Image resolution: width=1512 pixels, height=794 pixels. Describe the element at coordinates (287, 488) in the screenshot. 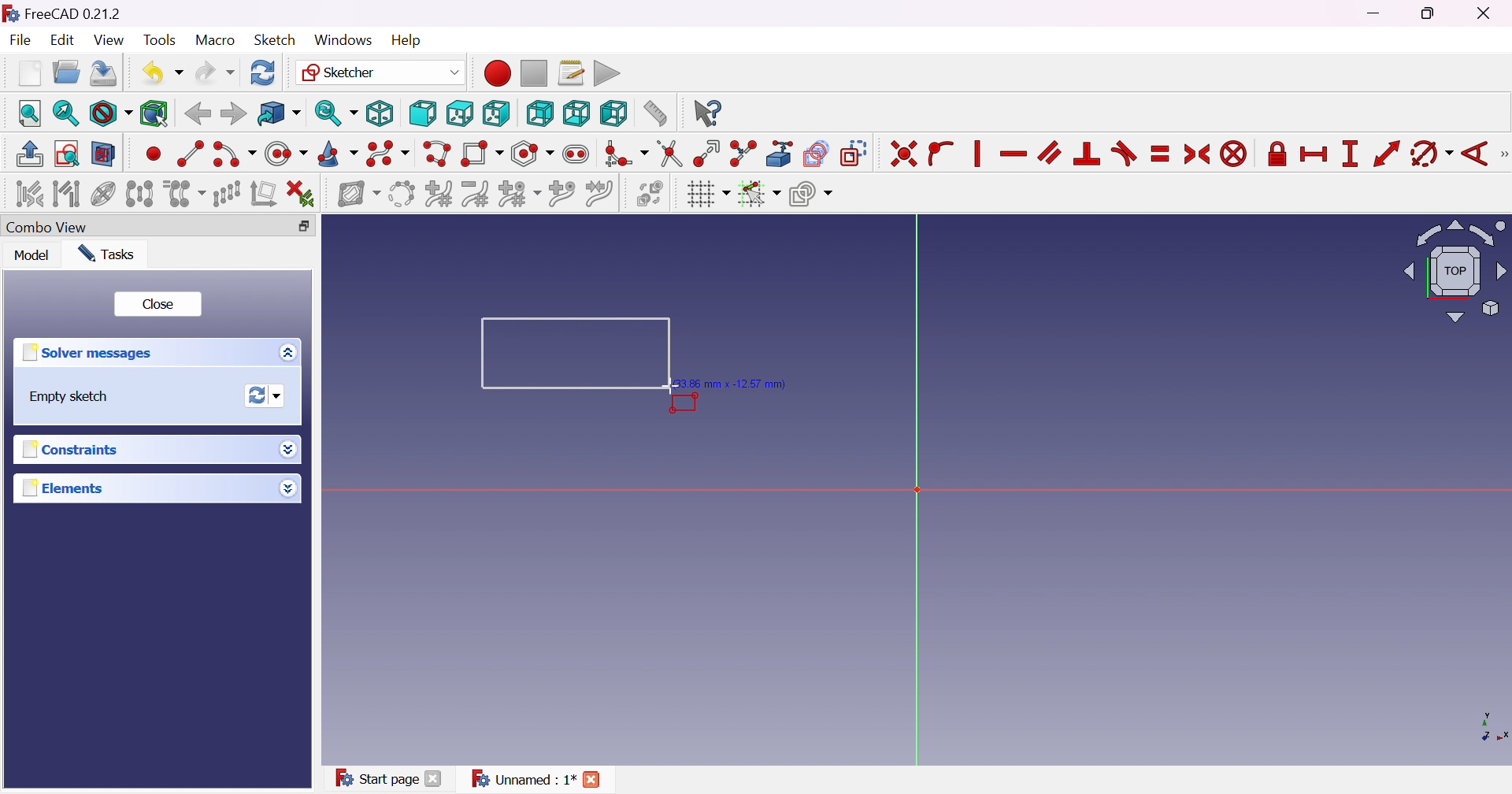

I see `More options` at that location.